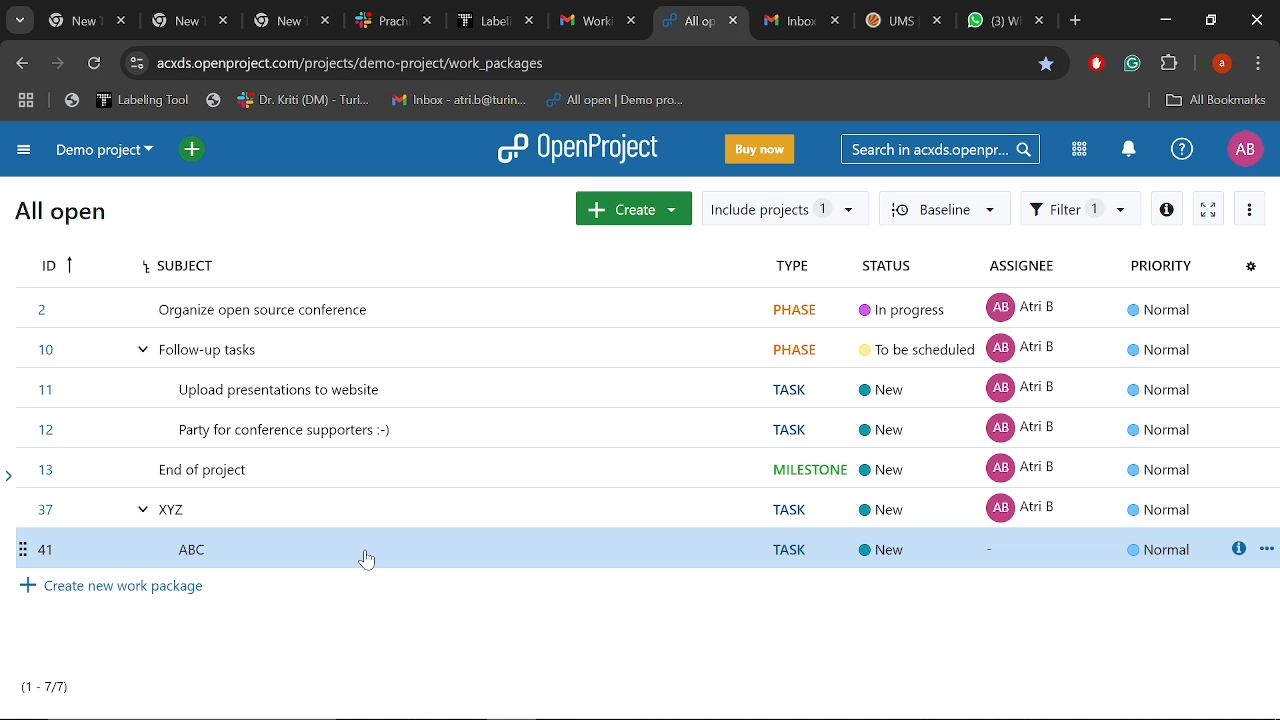 This screenshot has width=1280, height=720. I want to click on Selected task, so click(644, 550).